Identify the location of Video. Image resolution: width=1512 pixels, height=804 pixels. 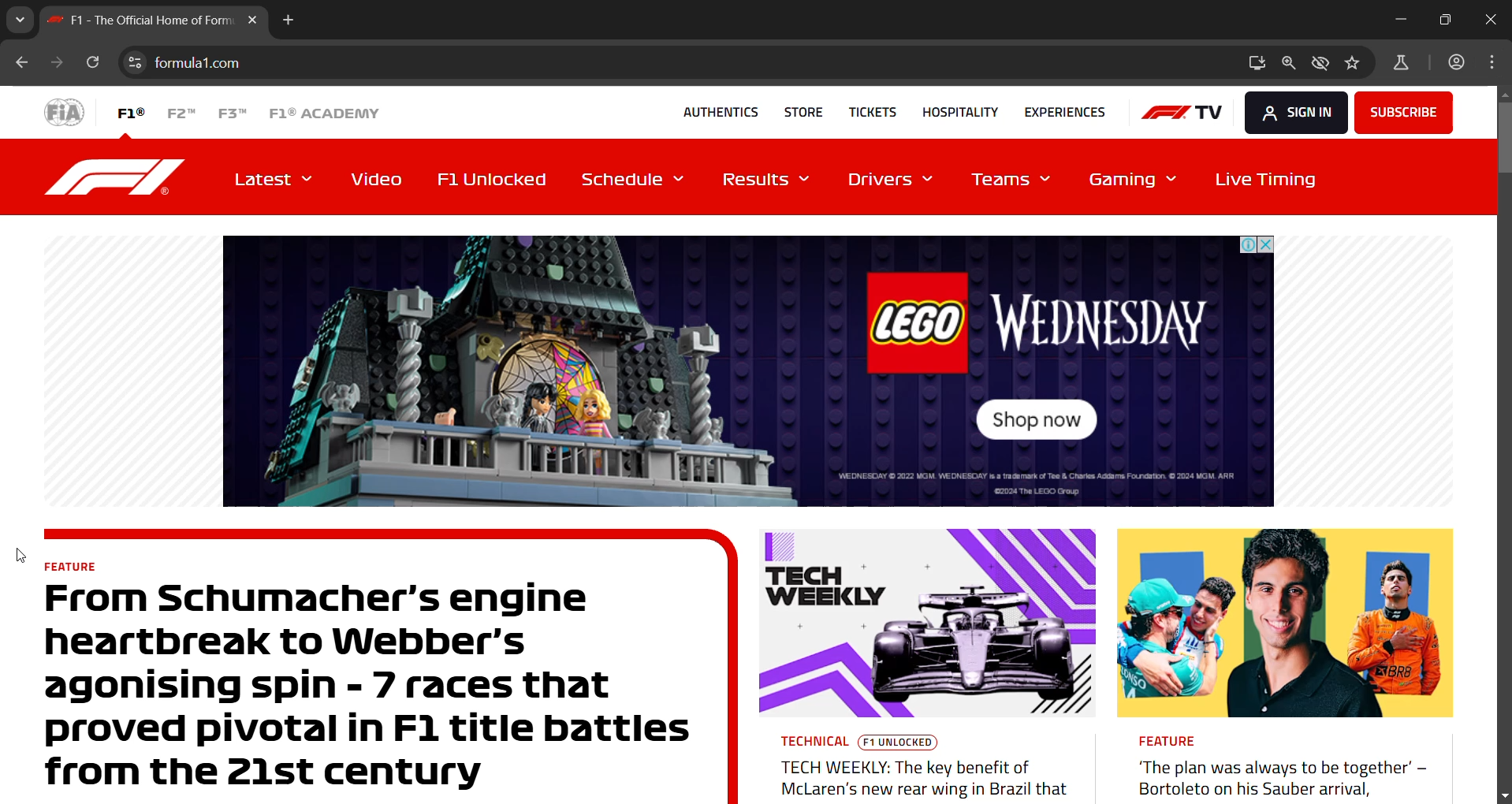
(377, 179).